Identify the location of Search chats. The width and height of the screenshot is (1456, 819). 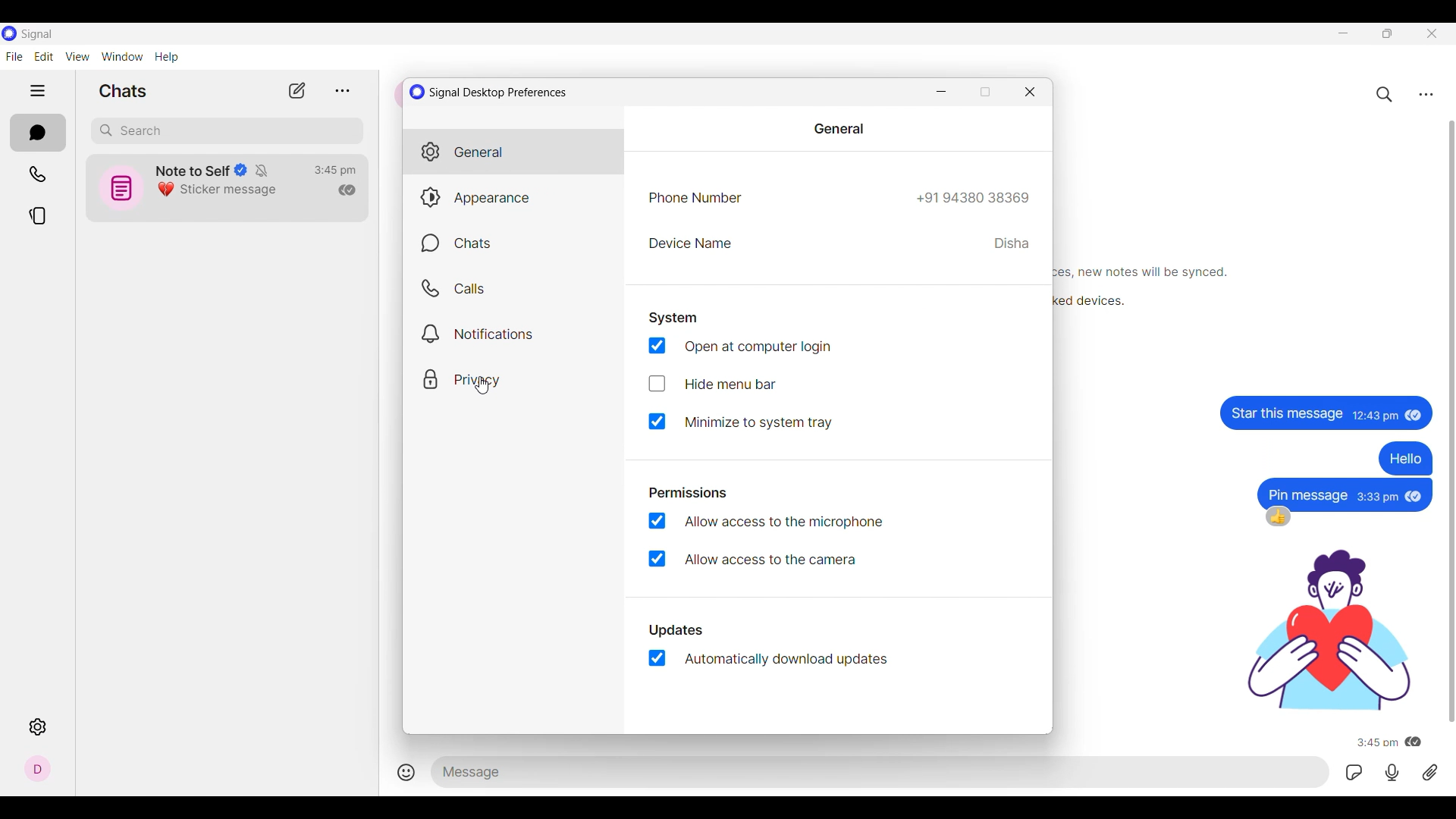
(1385, 95).